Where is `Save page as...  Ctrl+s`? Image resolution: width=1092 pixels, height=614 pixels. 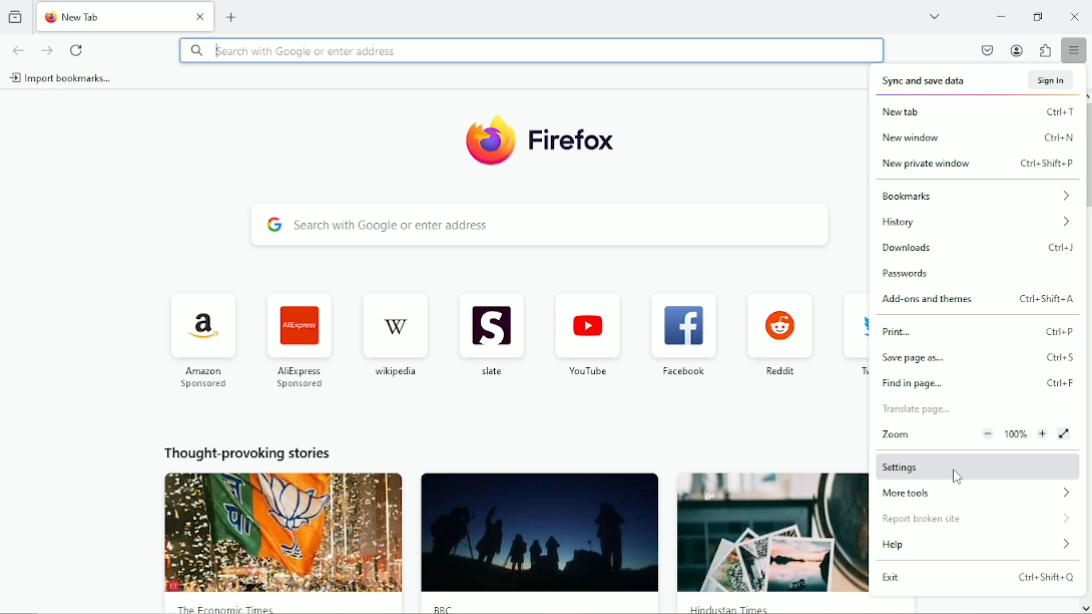 Save page as...  Ctrl+s is located at coordinates (979, 357).